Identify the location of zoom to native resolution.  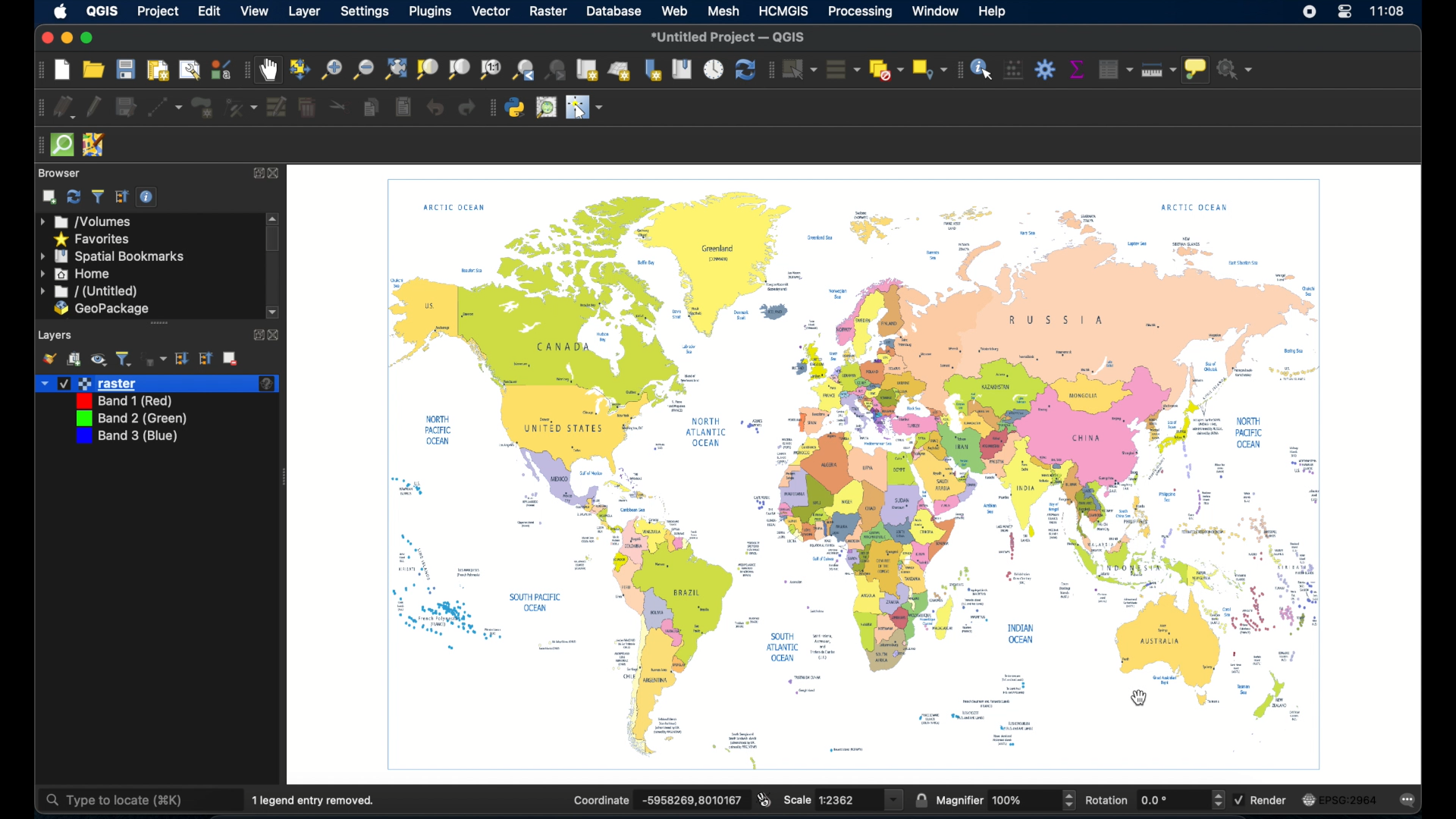
(491, 69).